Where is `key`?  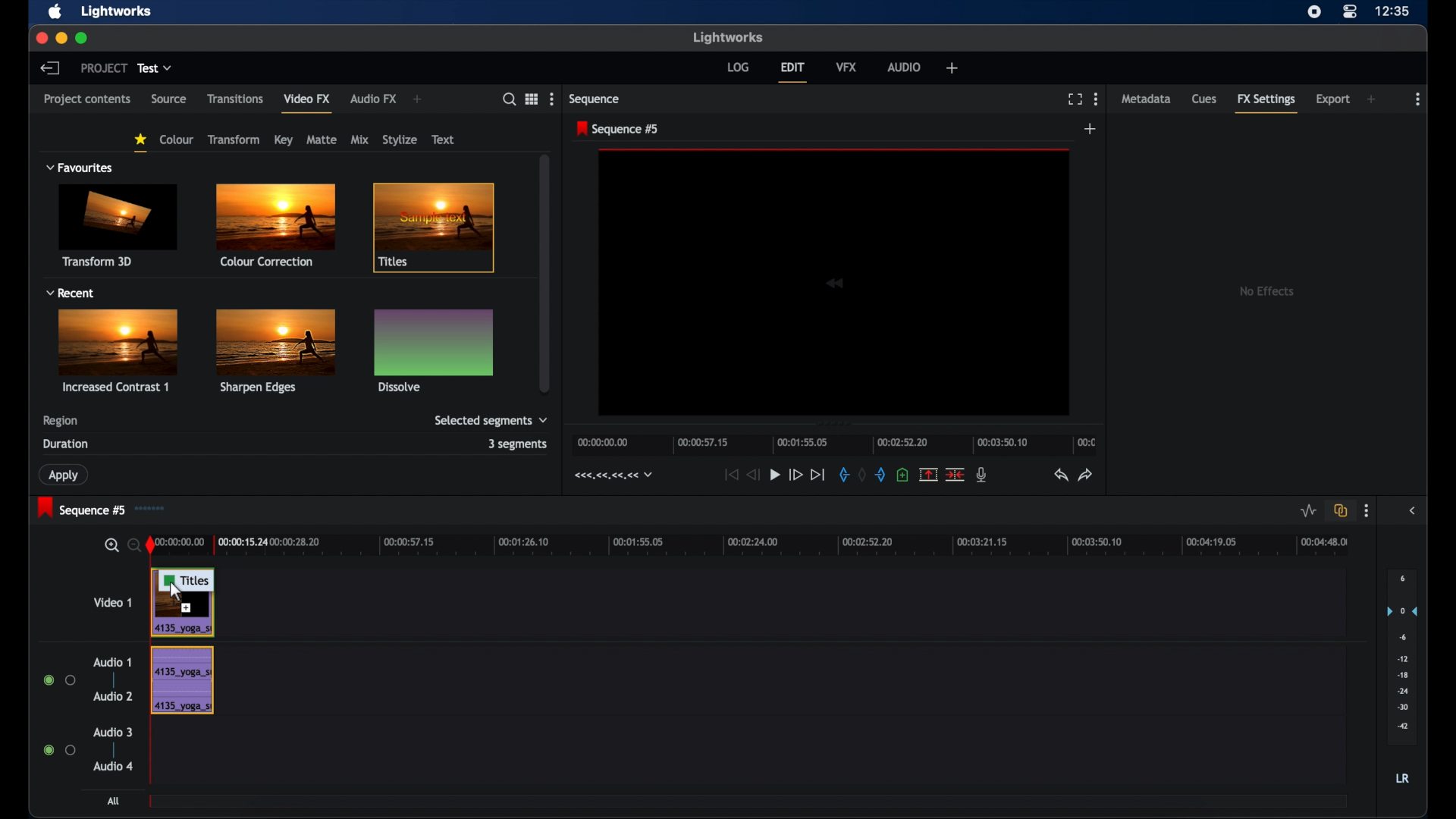 key is located at coordinates (284, 140).